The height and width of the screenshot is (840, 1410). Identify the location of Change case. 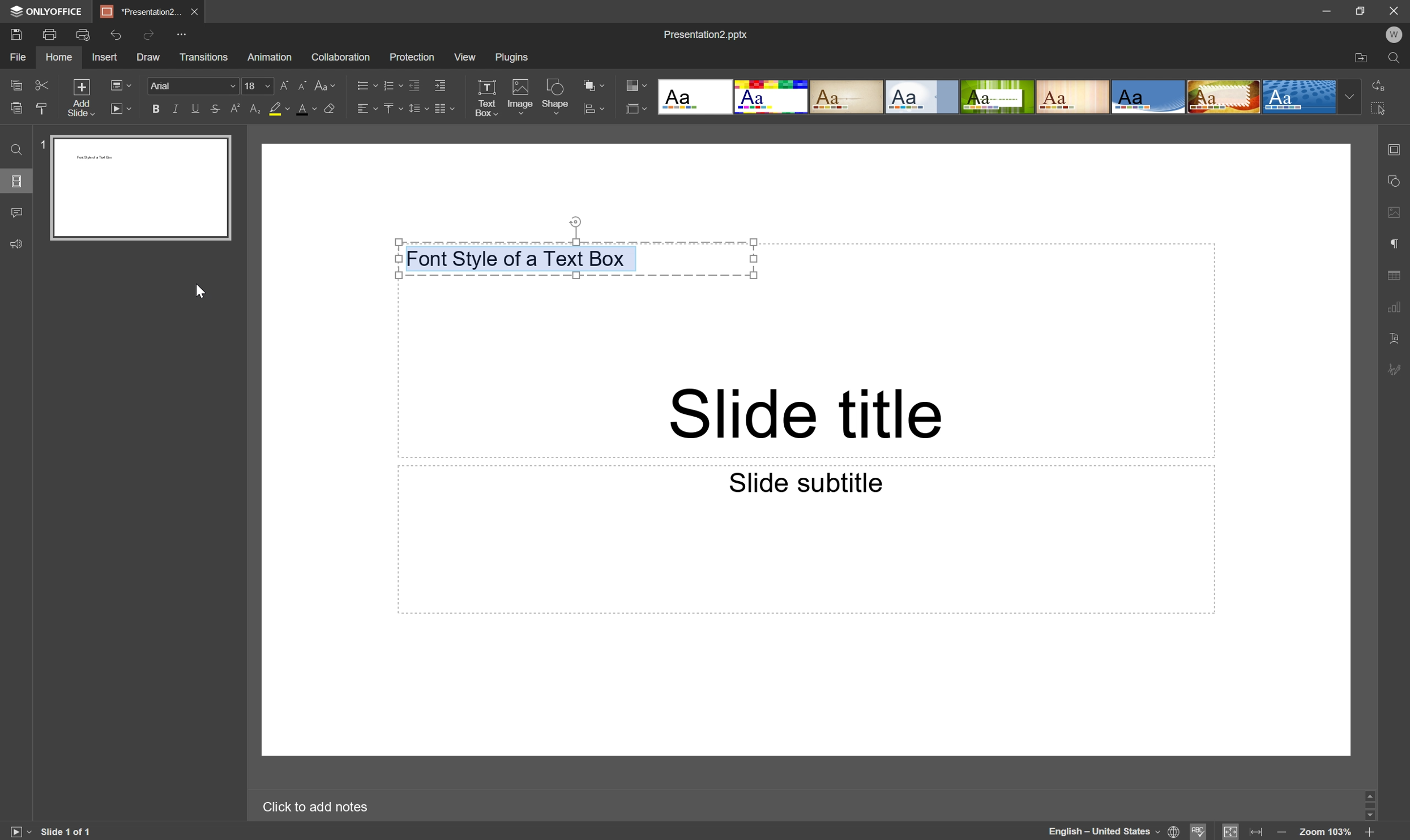
(325, 83).